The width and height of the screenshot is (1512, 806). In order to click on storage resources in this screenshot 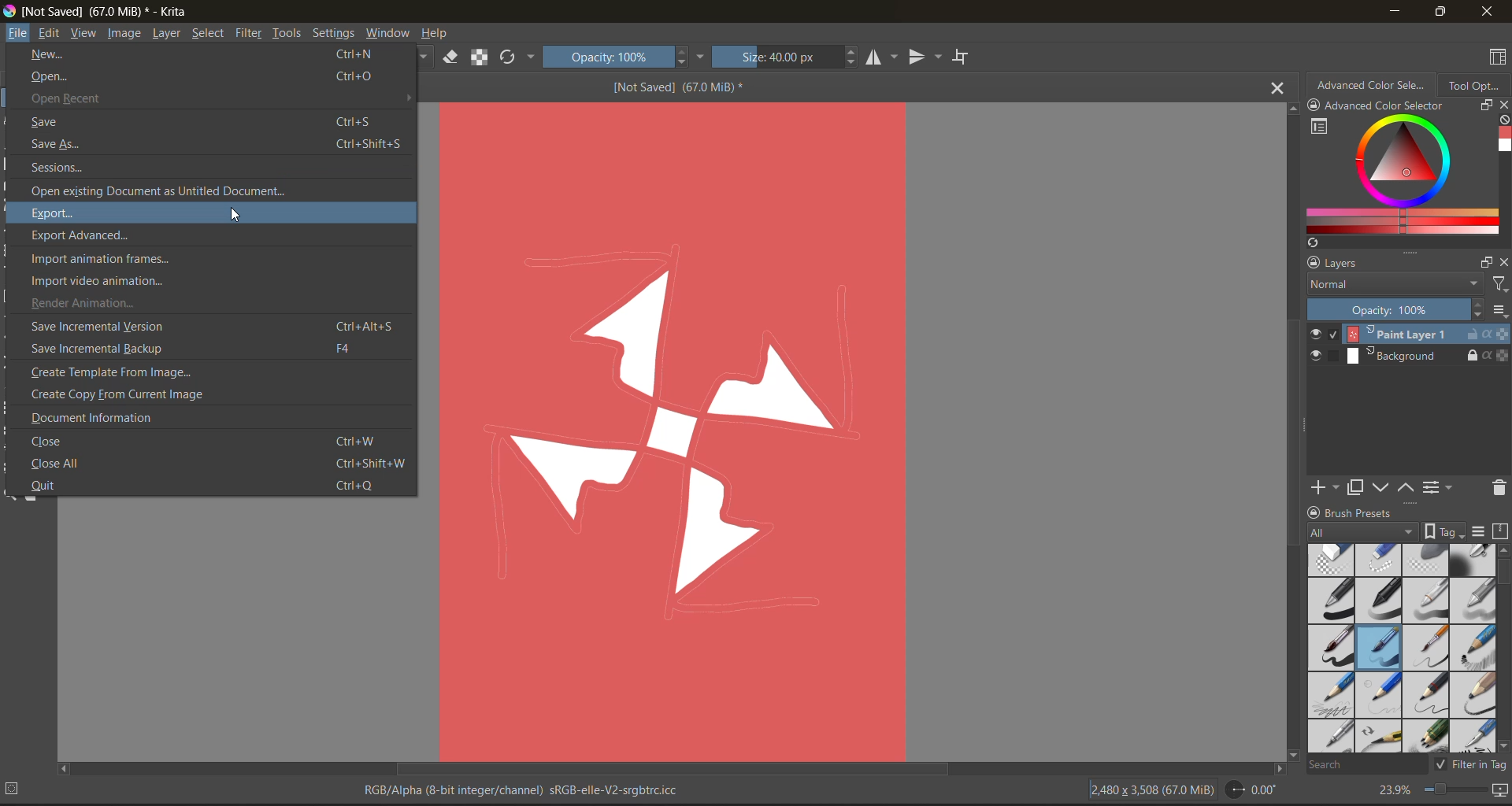, I will do `click(1502, 532)`.